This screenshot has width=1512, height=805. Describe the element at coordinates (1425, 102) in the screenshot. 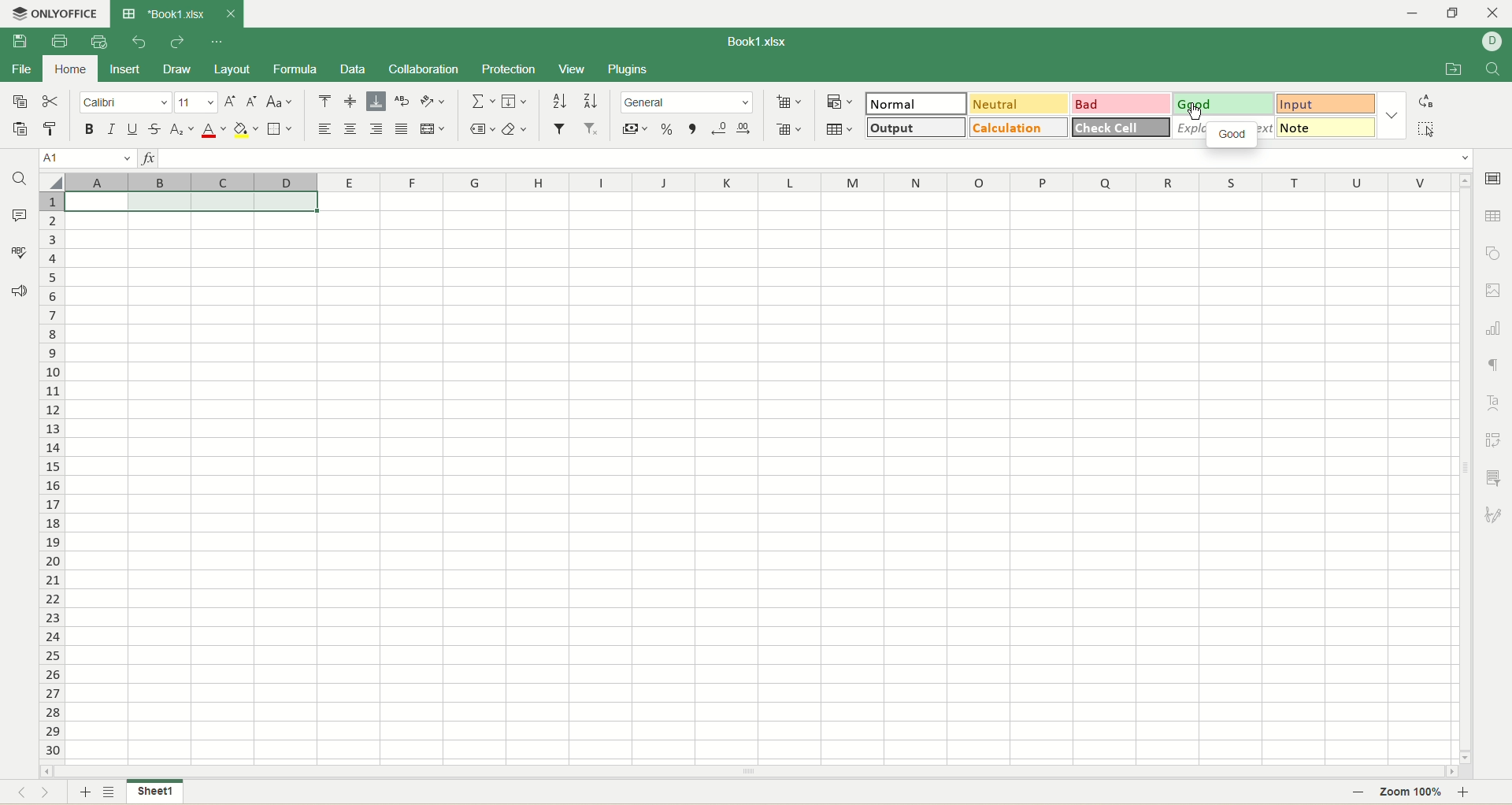

I see `replace` at that location.